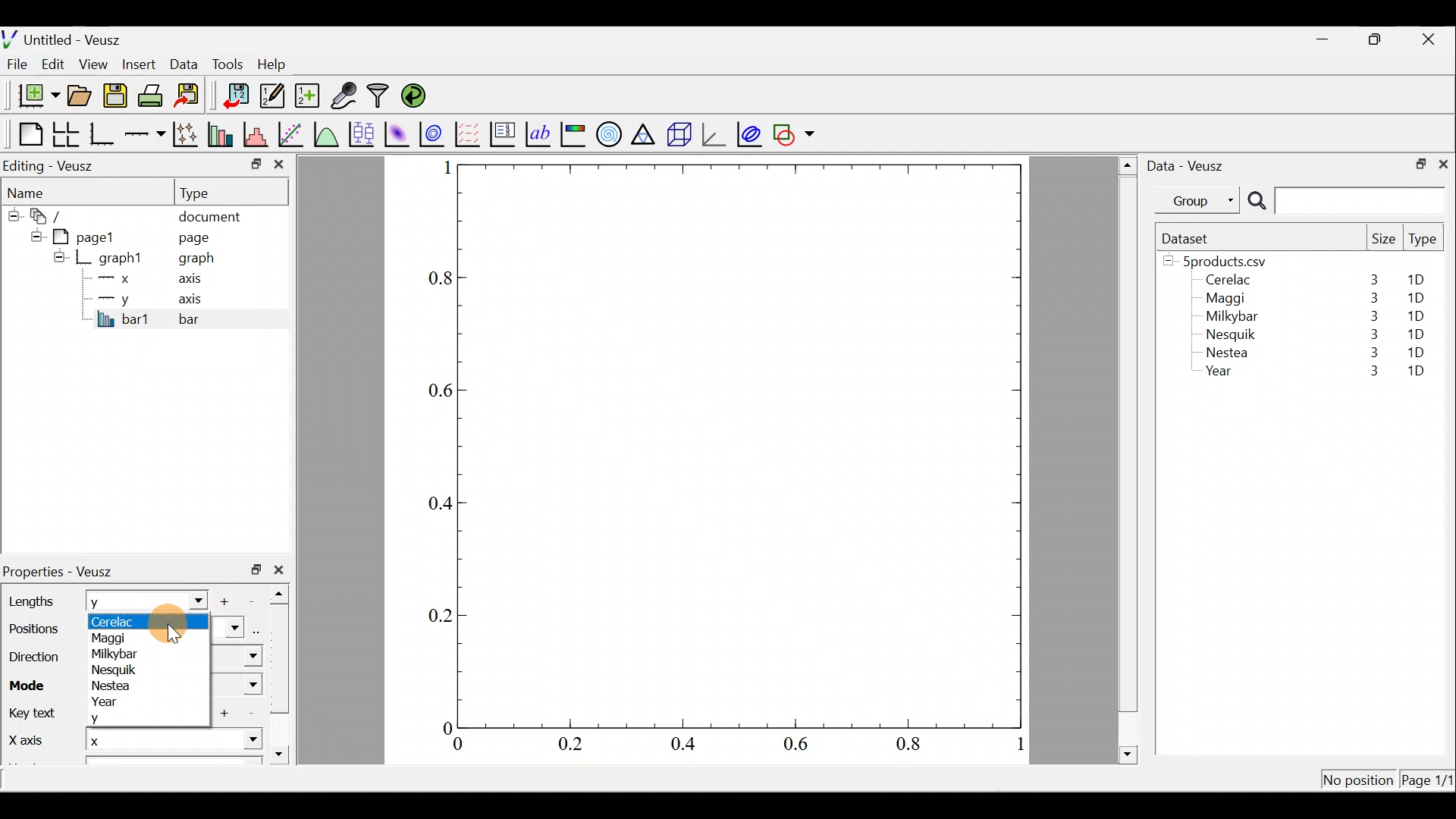  What do you see at coordinates (1189, 164) in the screenshot?
I see `Data - Veusz` at bounding box center [1189, 164].